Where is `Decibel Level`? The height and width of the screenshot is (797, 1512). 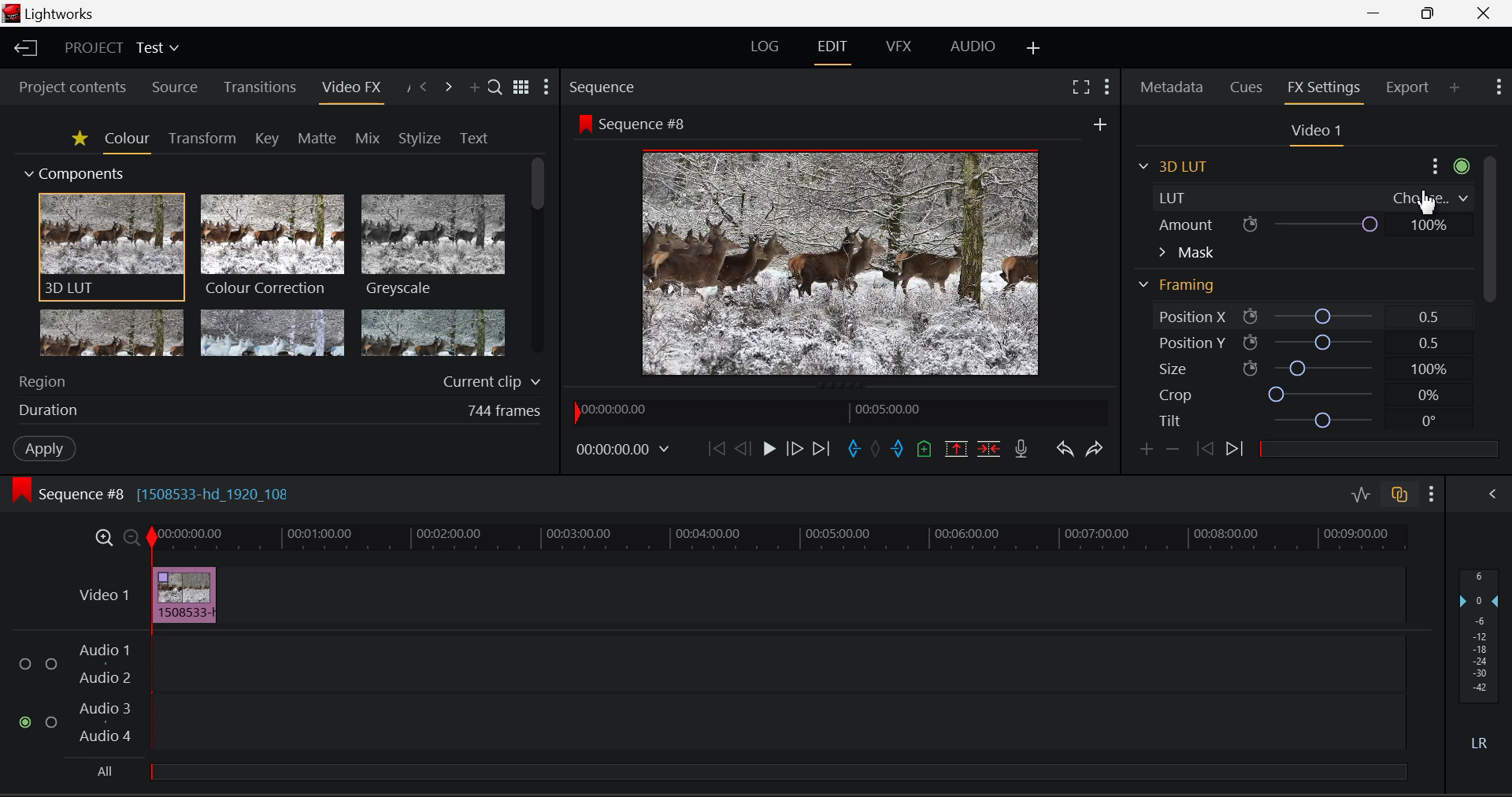
Decibel Level is located at coordinates (1483, 662).